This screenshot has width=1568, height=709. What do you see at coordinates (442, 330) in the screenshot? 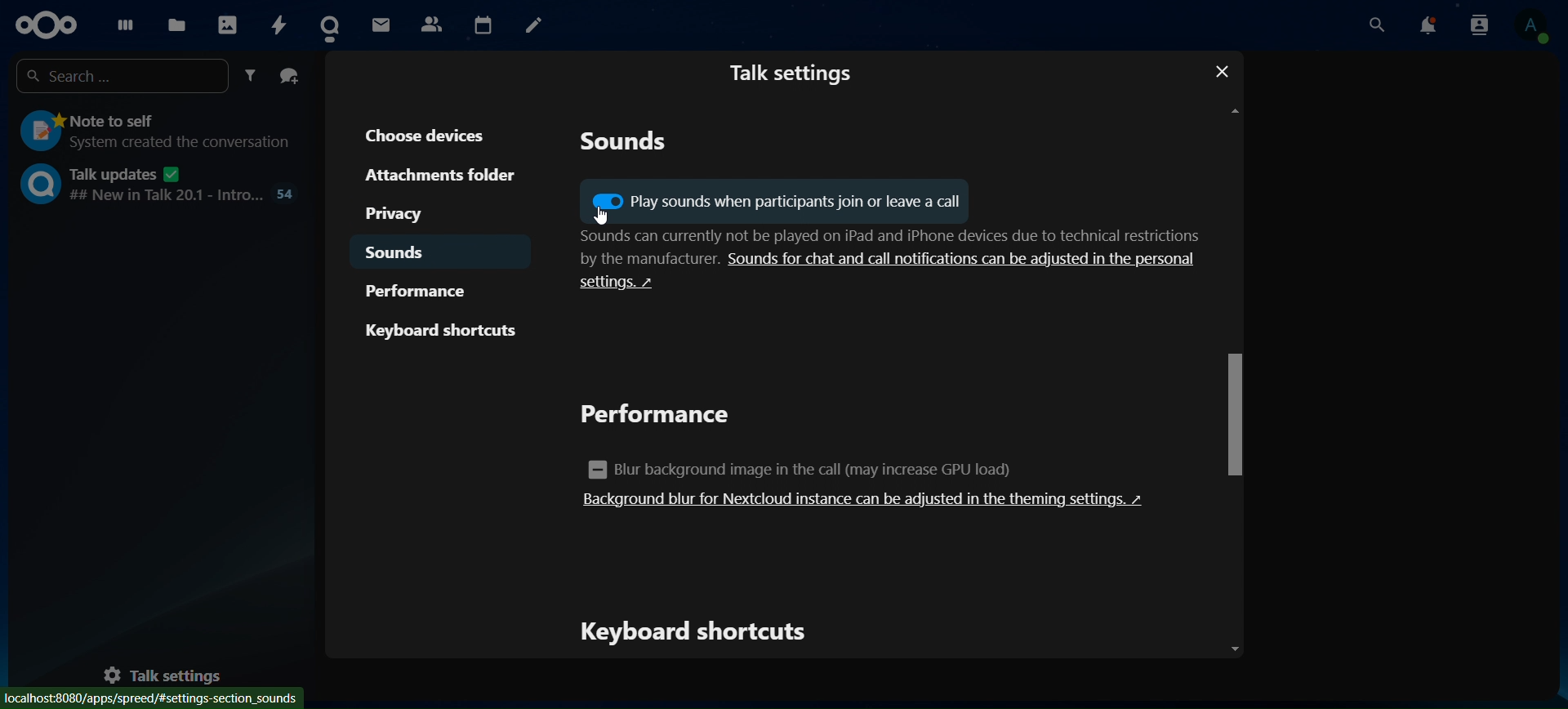
I see `keyboard shortcuts` at bounding box center [442, 330].